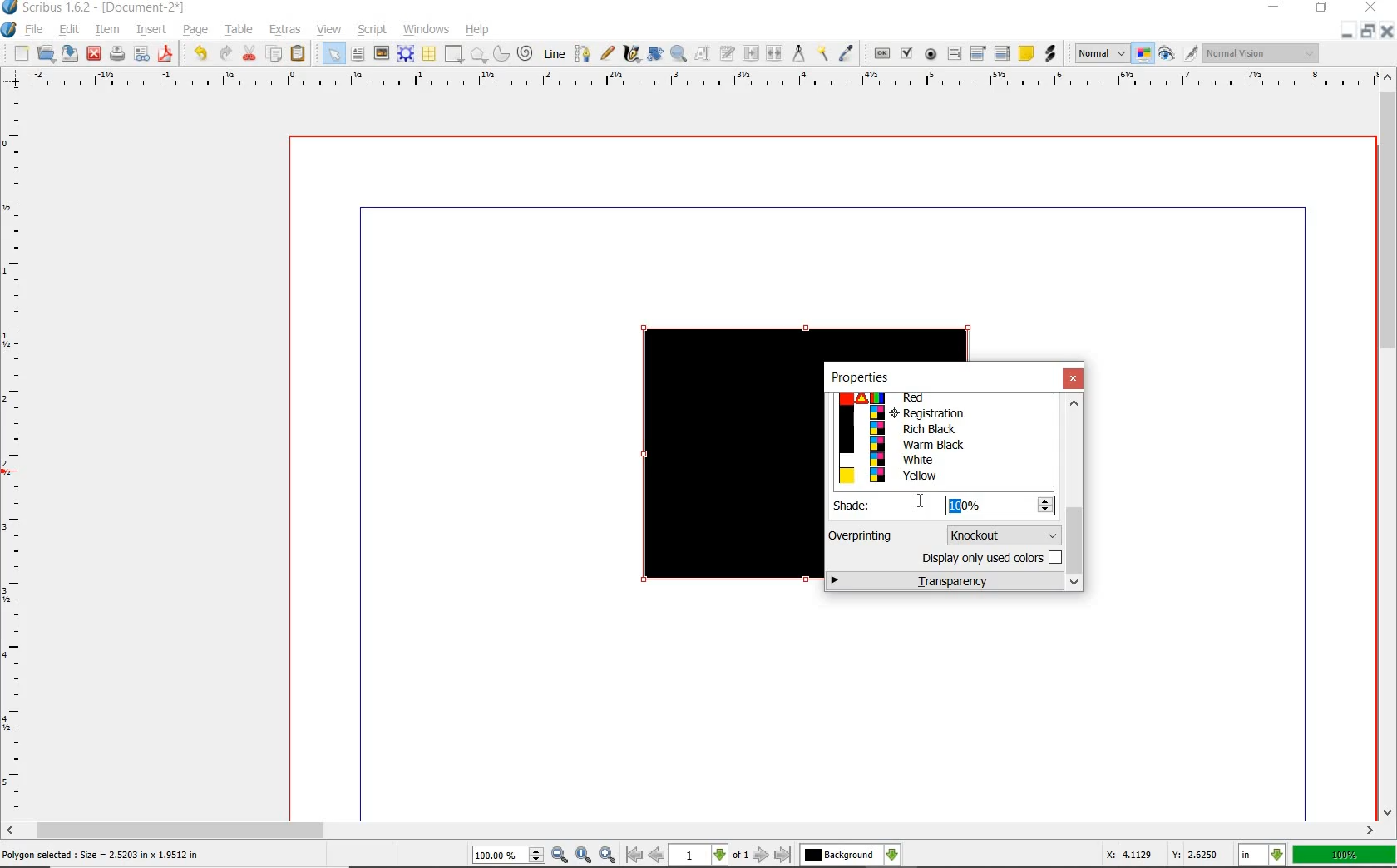 This screenshot has height=868, width=1397. What do you see at coordinates (17, 455) in the screenshot?
I see `ruler` at bounding box center [17, 455].